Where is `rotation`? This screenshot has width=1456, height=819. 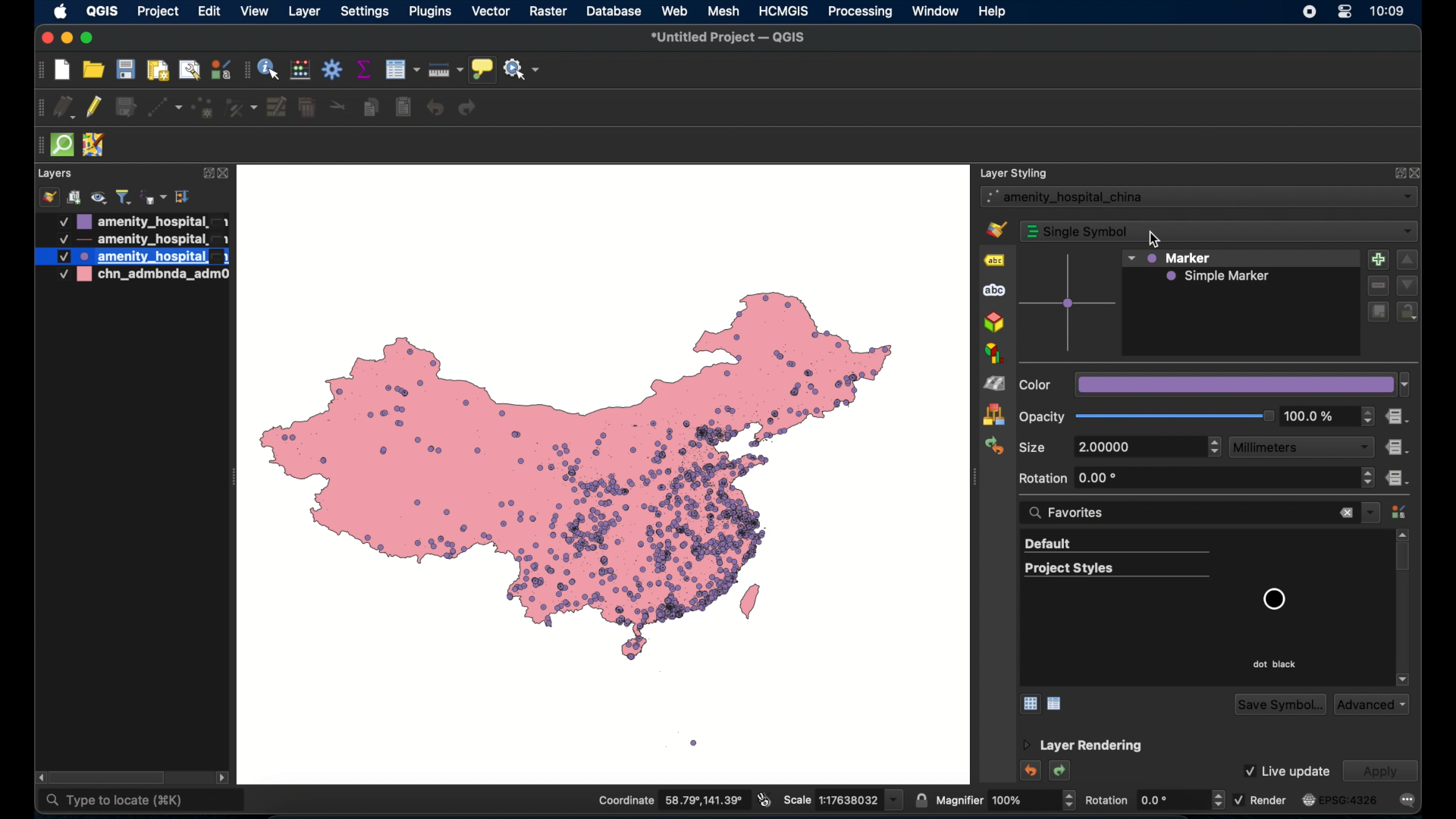 rotation is located at coordinates (1153, 799).